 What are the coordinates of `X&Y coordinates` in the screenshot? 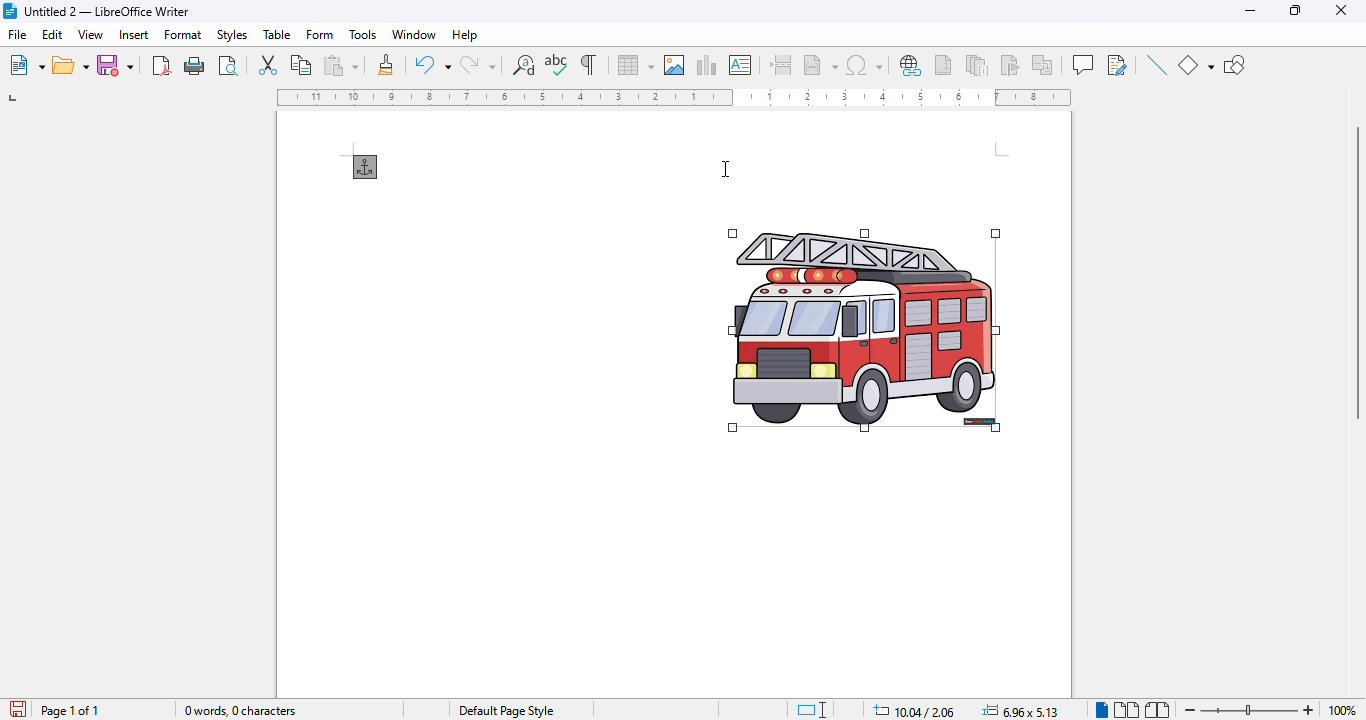 It's located at (915, 710).